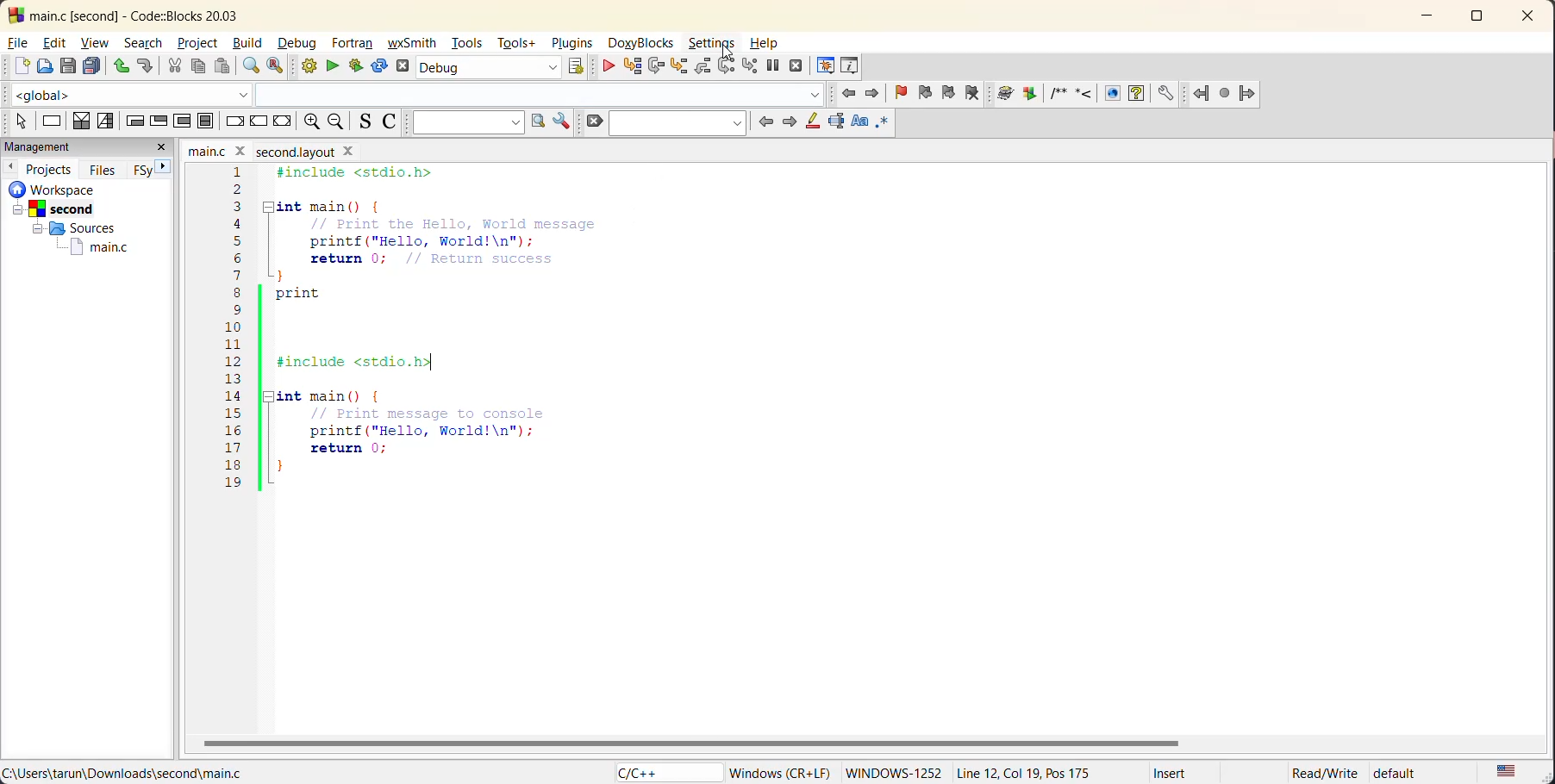 The width and height of the screenshot is (1555, 784). Describe the element at coordinates (752, 65) in the screenshot. I see `step into instruction` at that location.